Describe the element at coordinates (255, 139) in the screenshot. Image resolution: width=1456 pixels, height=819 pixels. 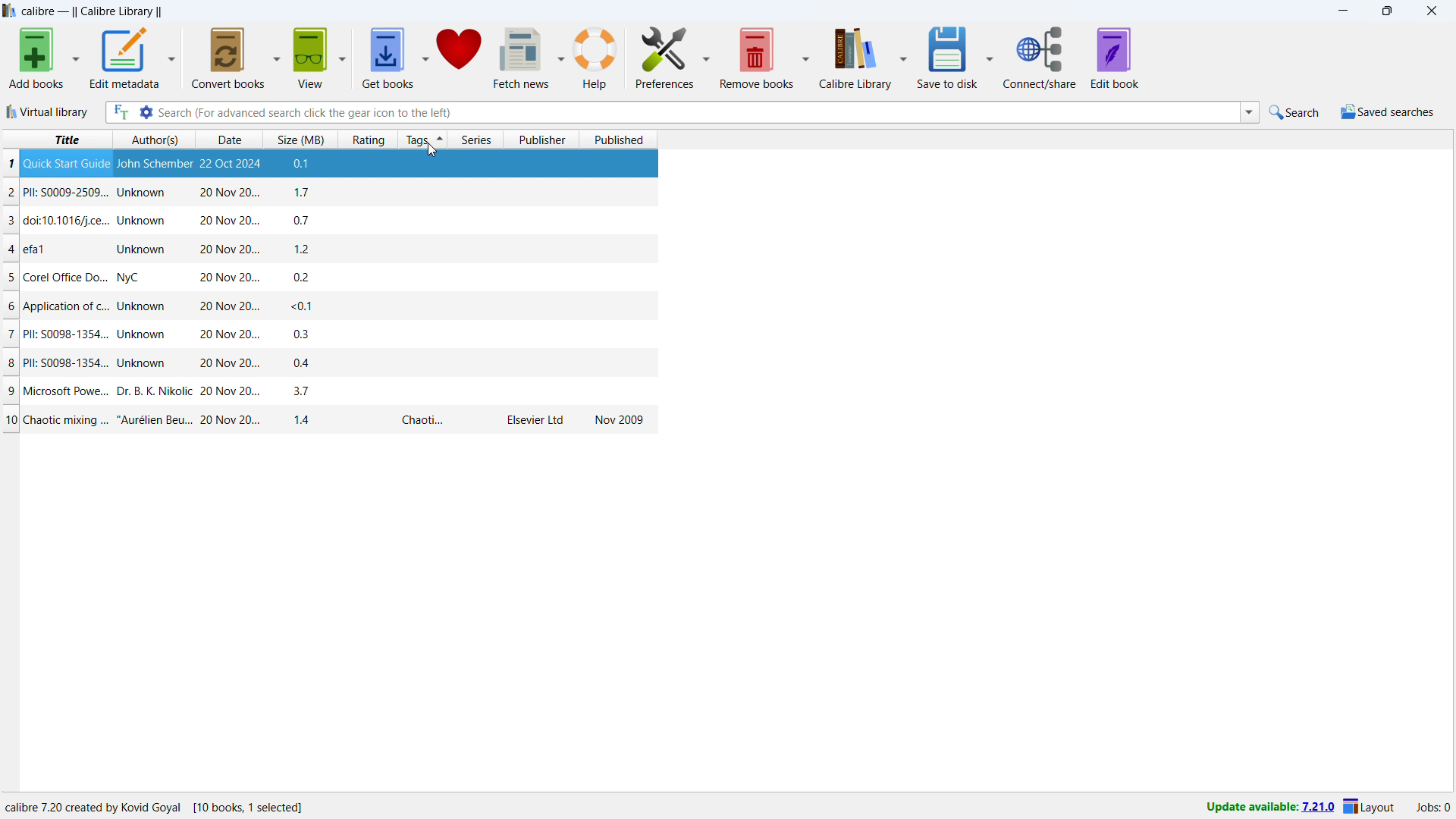
I see `select sorting order` at that location.